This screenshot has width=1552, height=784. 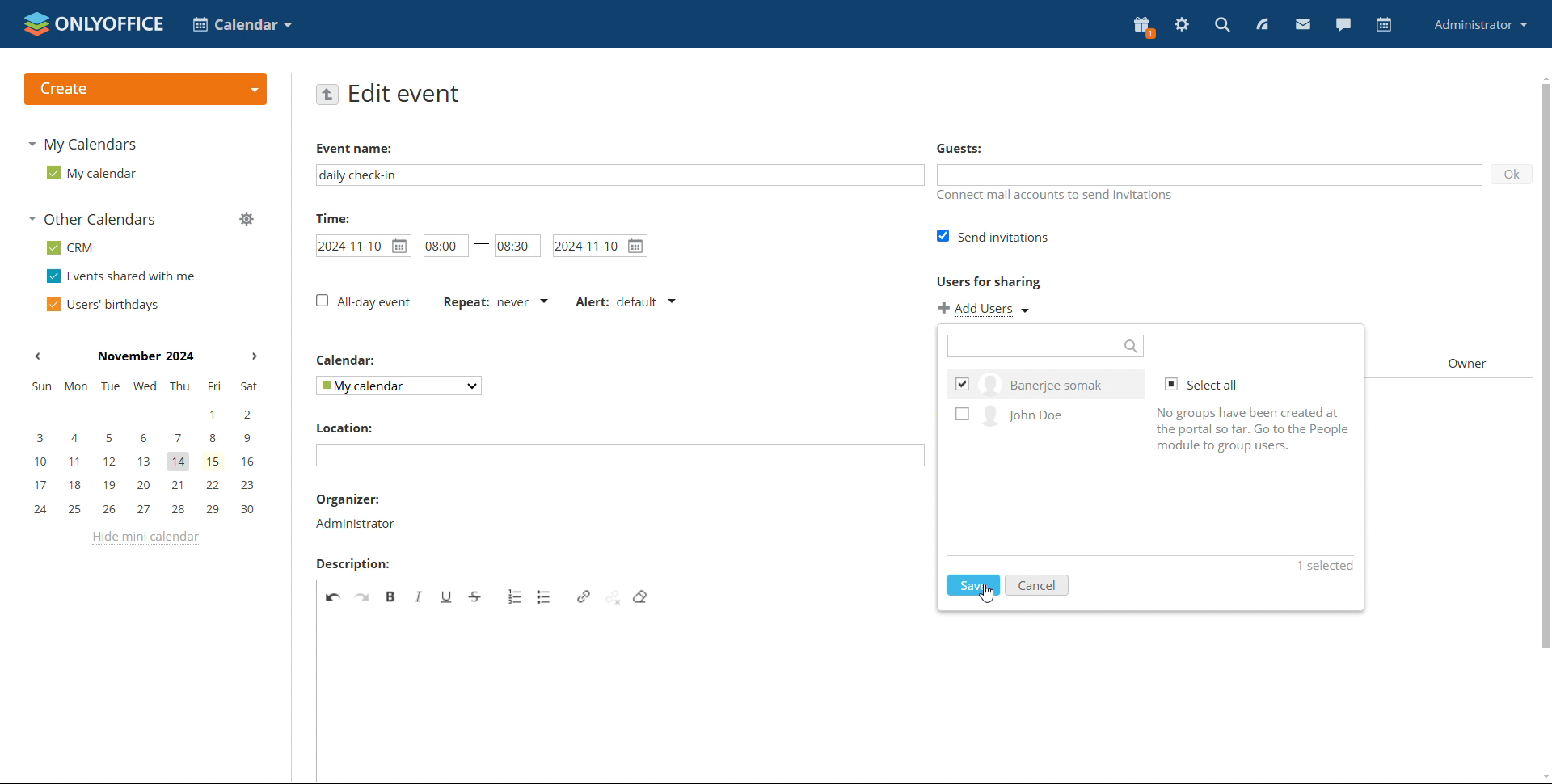 I want to click on other calendars, so click(x=91, y=219).